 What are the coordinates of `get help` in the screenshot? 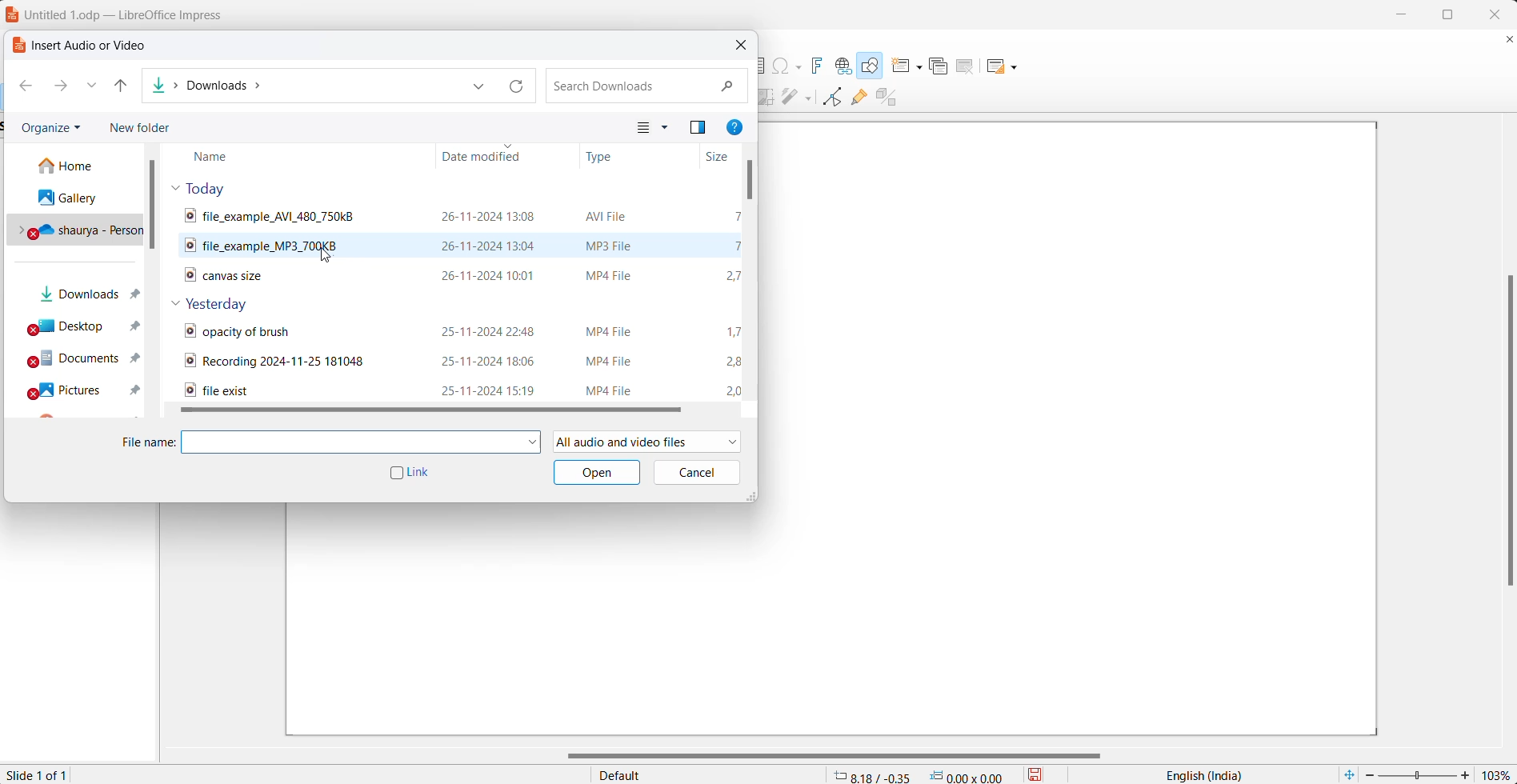 It's located at (738, 129).